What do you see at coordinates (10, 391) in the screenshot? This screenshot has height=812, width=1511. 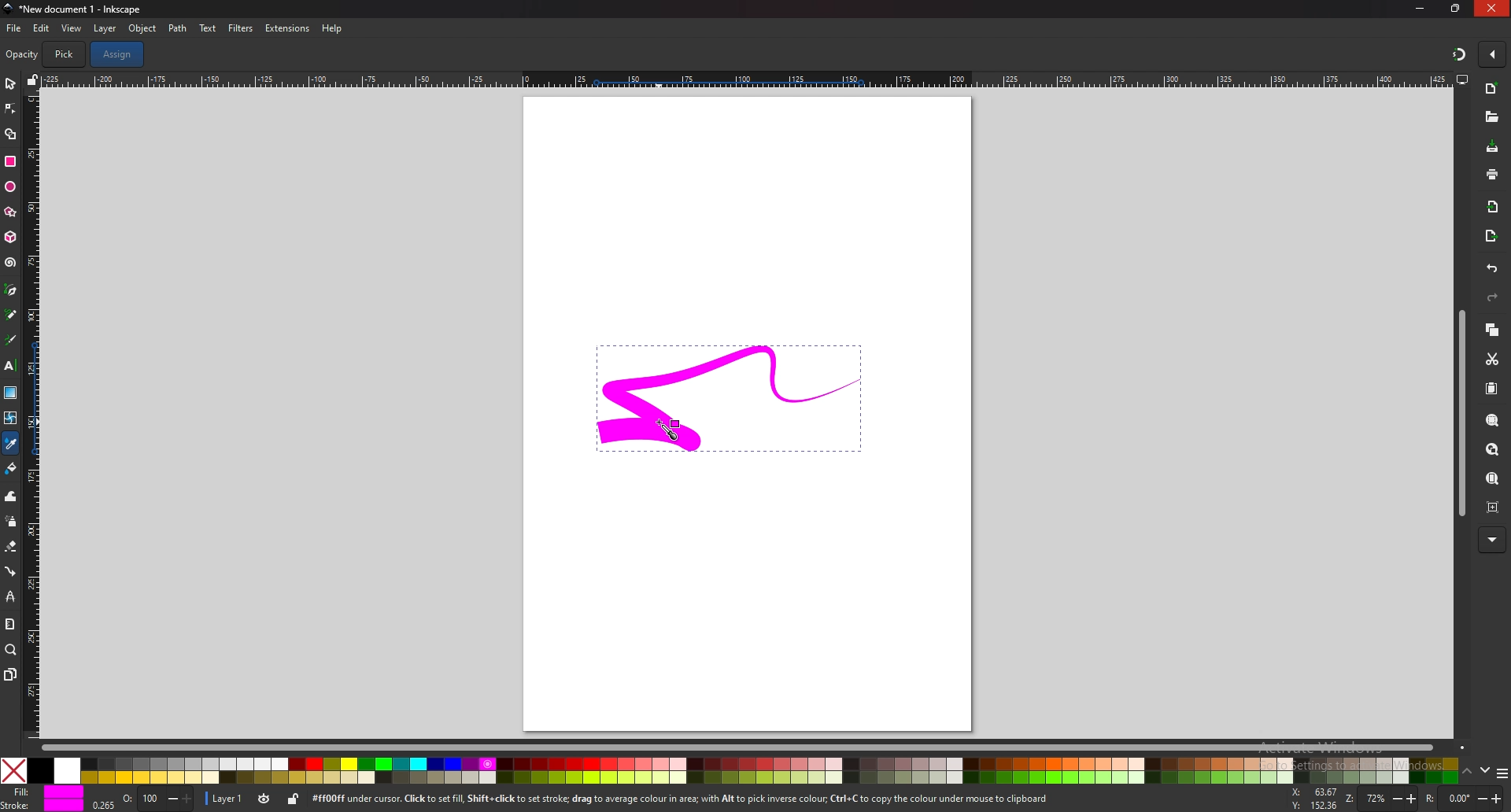 I see `gradient` at bounding box center [10, 391].